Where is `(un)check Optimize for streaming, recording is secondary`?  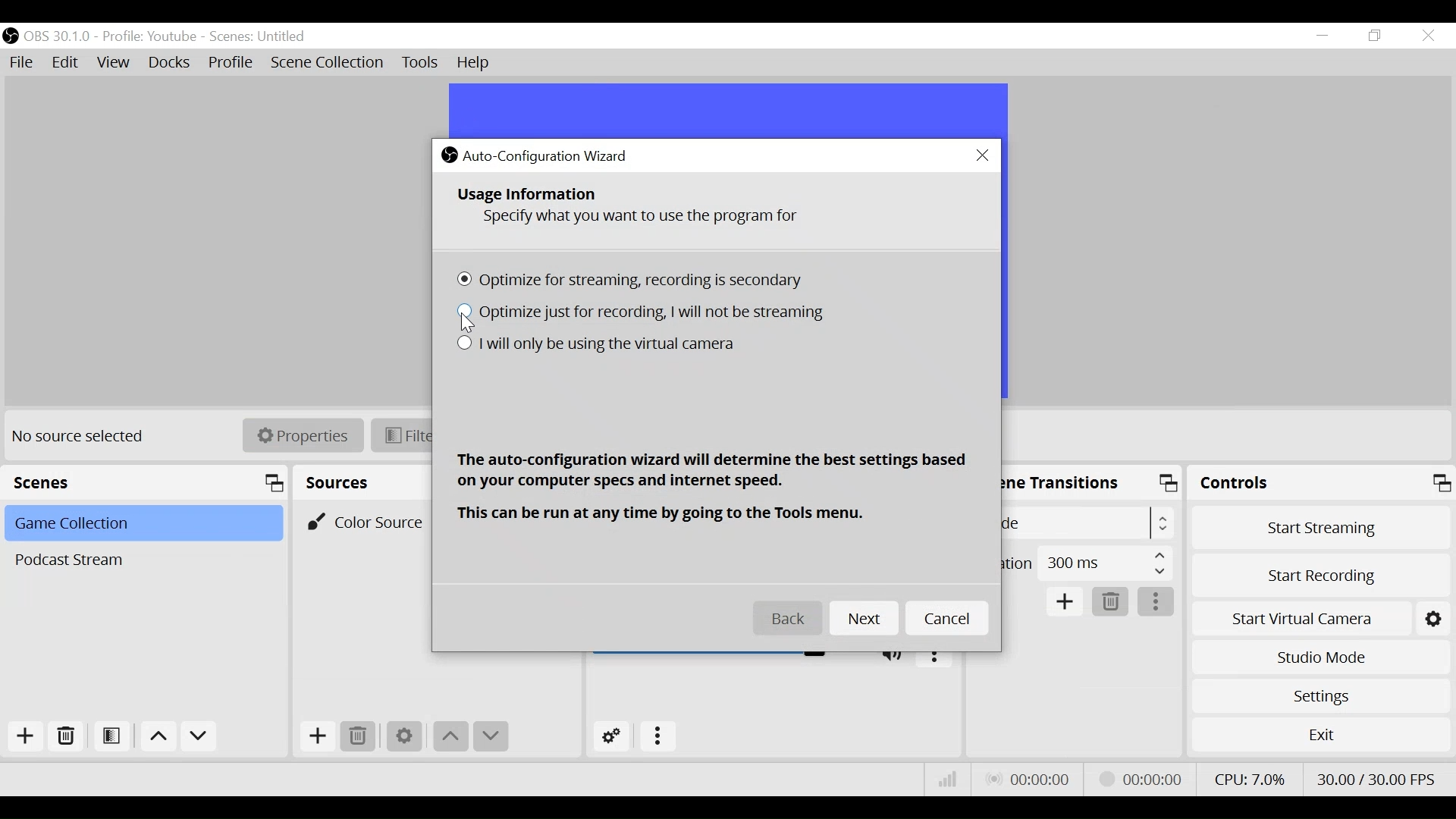 (un)check Optimize for streaming, recording is secondary is located at coordinates (635, 283).